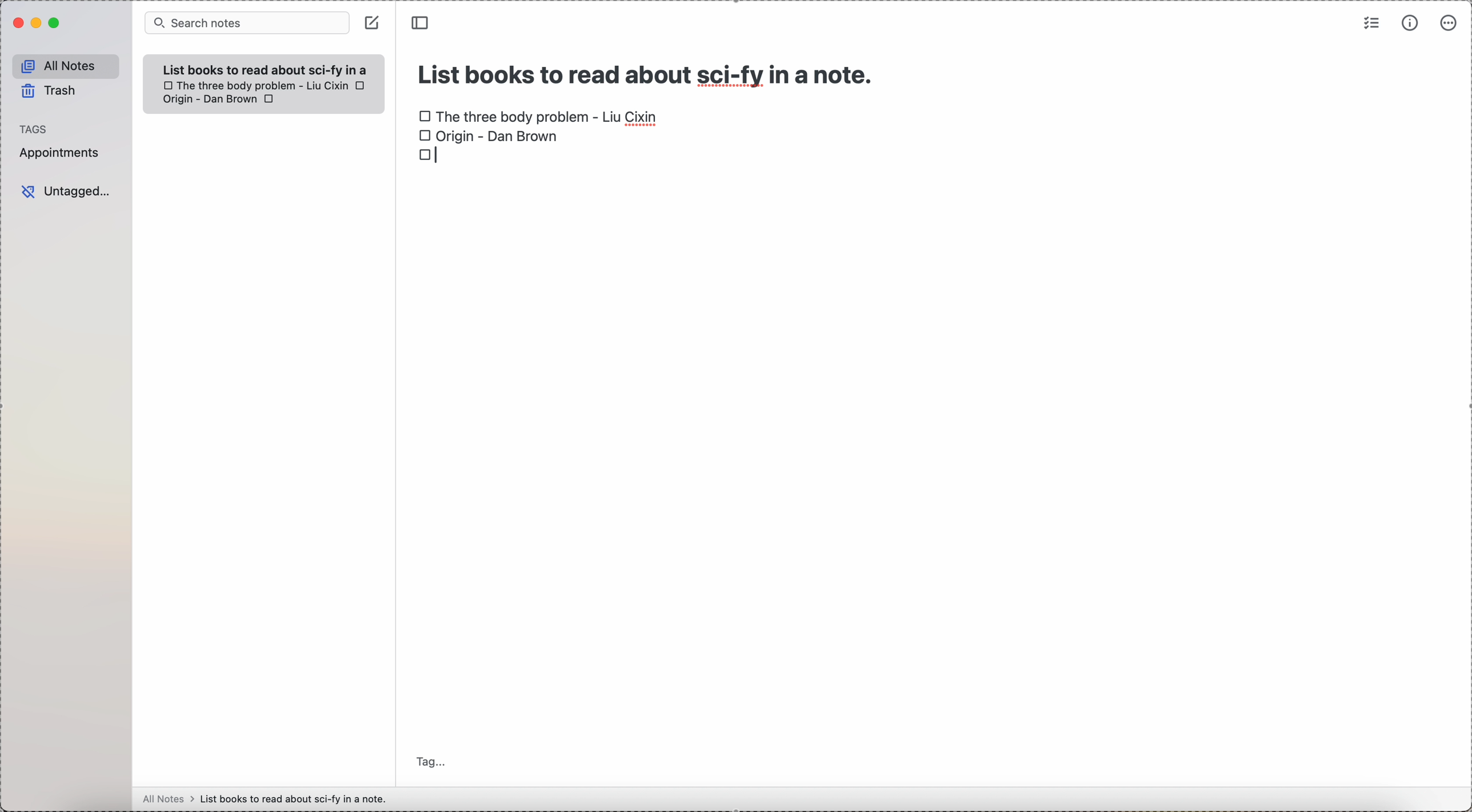 The height and width of the screenshot is (812, 1472). Describe the element at coordinates (54, 25) in the screenshot. I see `maximize` at that location.